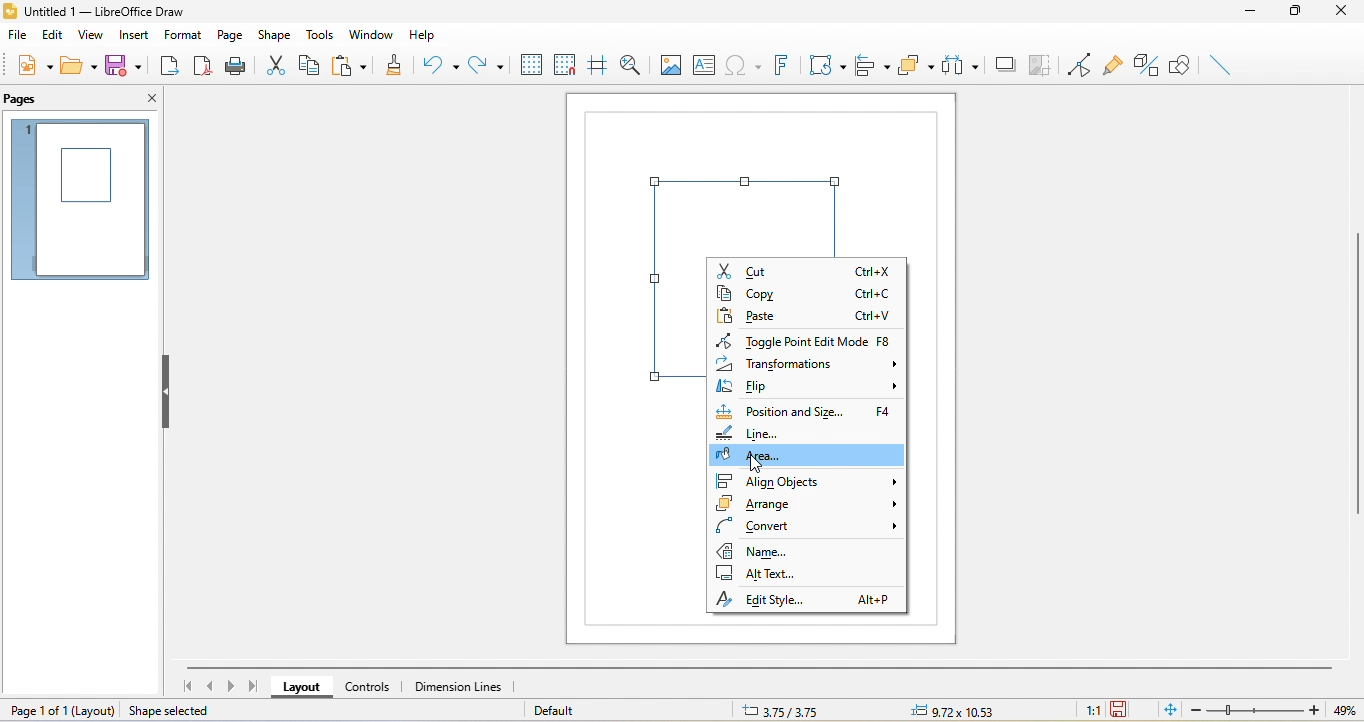 The width and height of the screenshot is (1364, 722). I want to click on page, so click(229, 34).